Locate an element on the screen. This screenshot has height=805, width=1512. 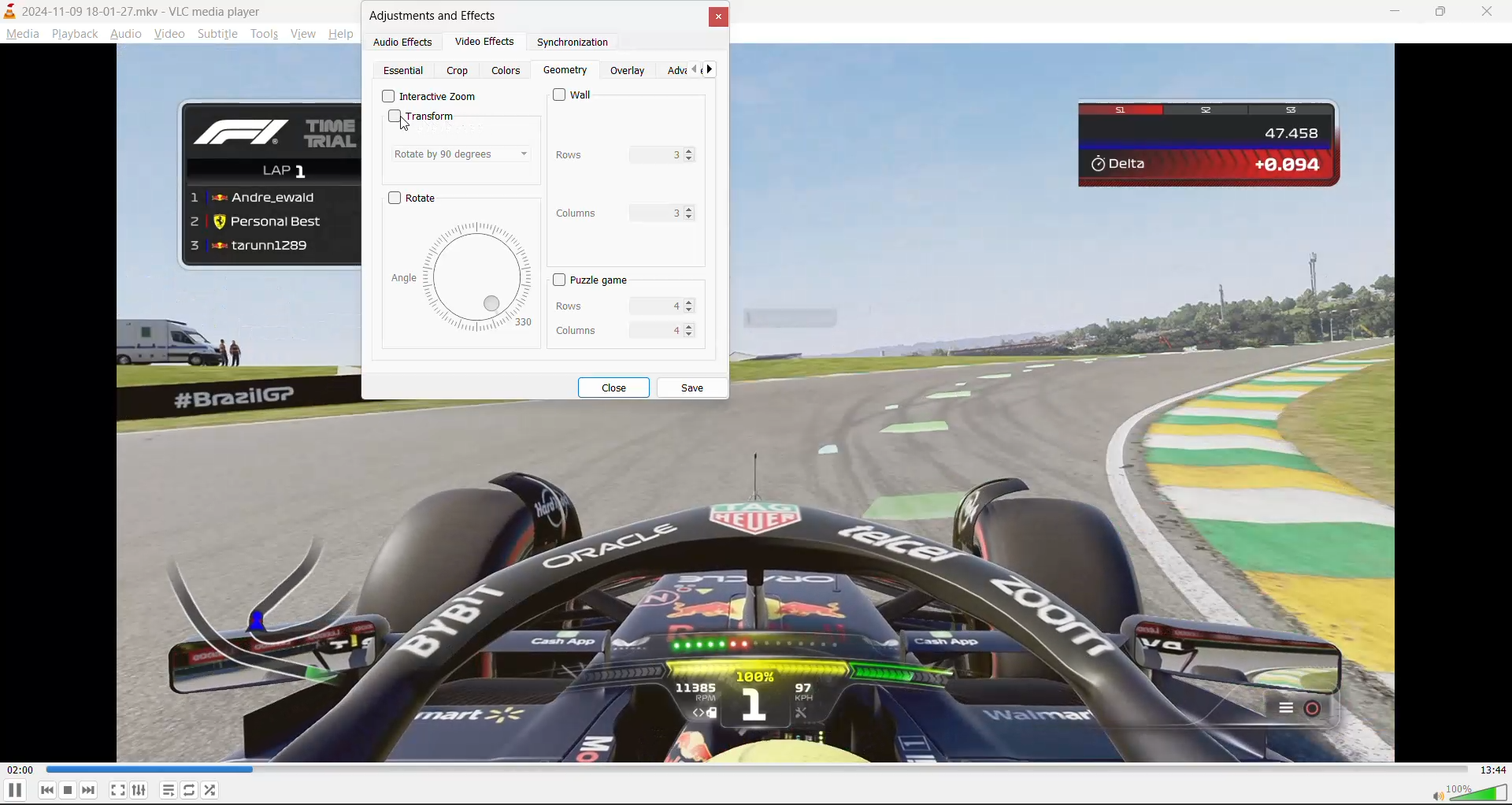
overlay is located at coordinates (630, 72).